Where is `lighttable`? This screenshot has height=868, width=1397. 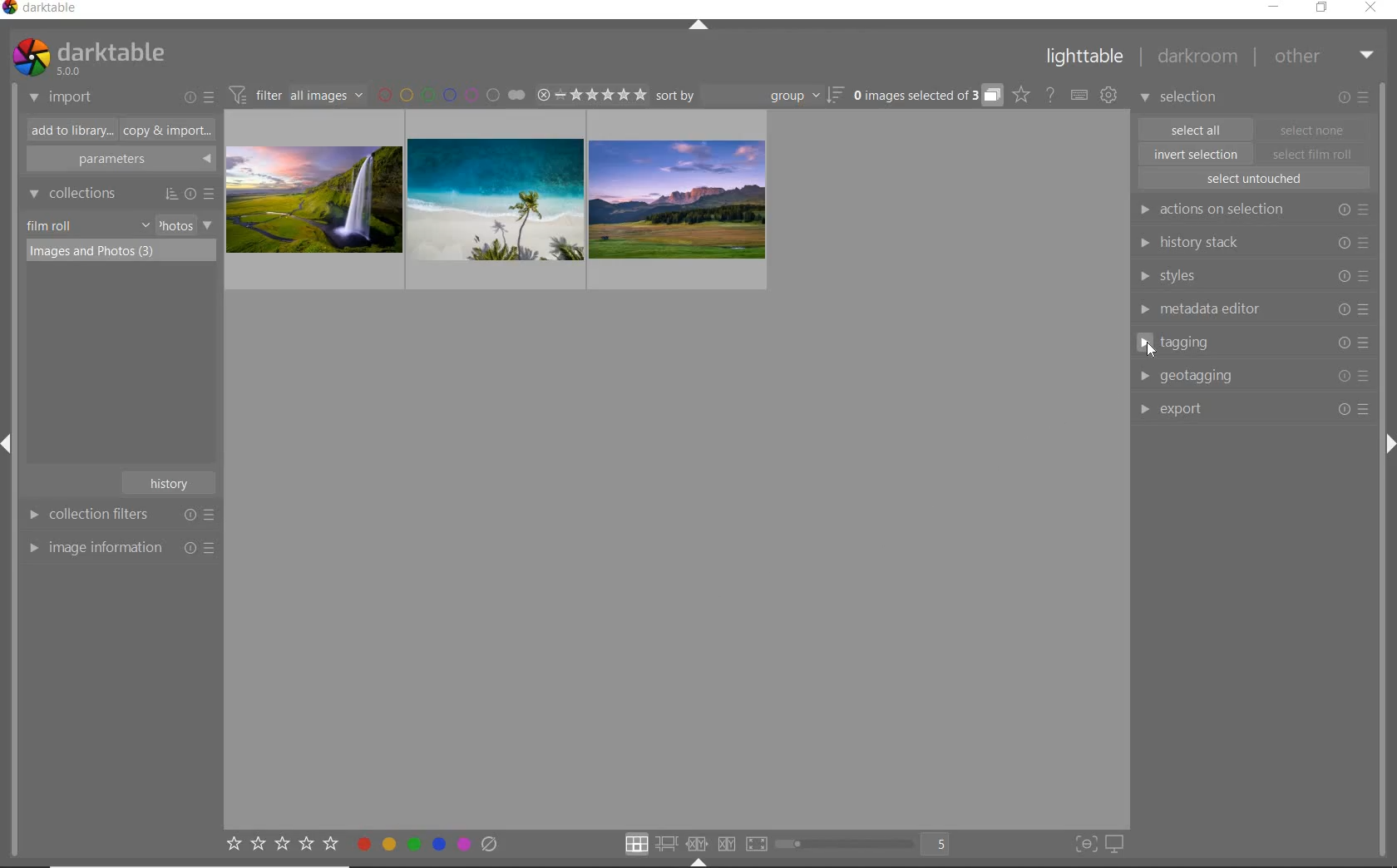
lighttable is located at coordinates (1085, 60).